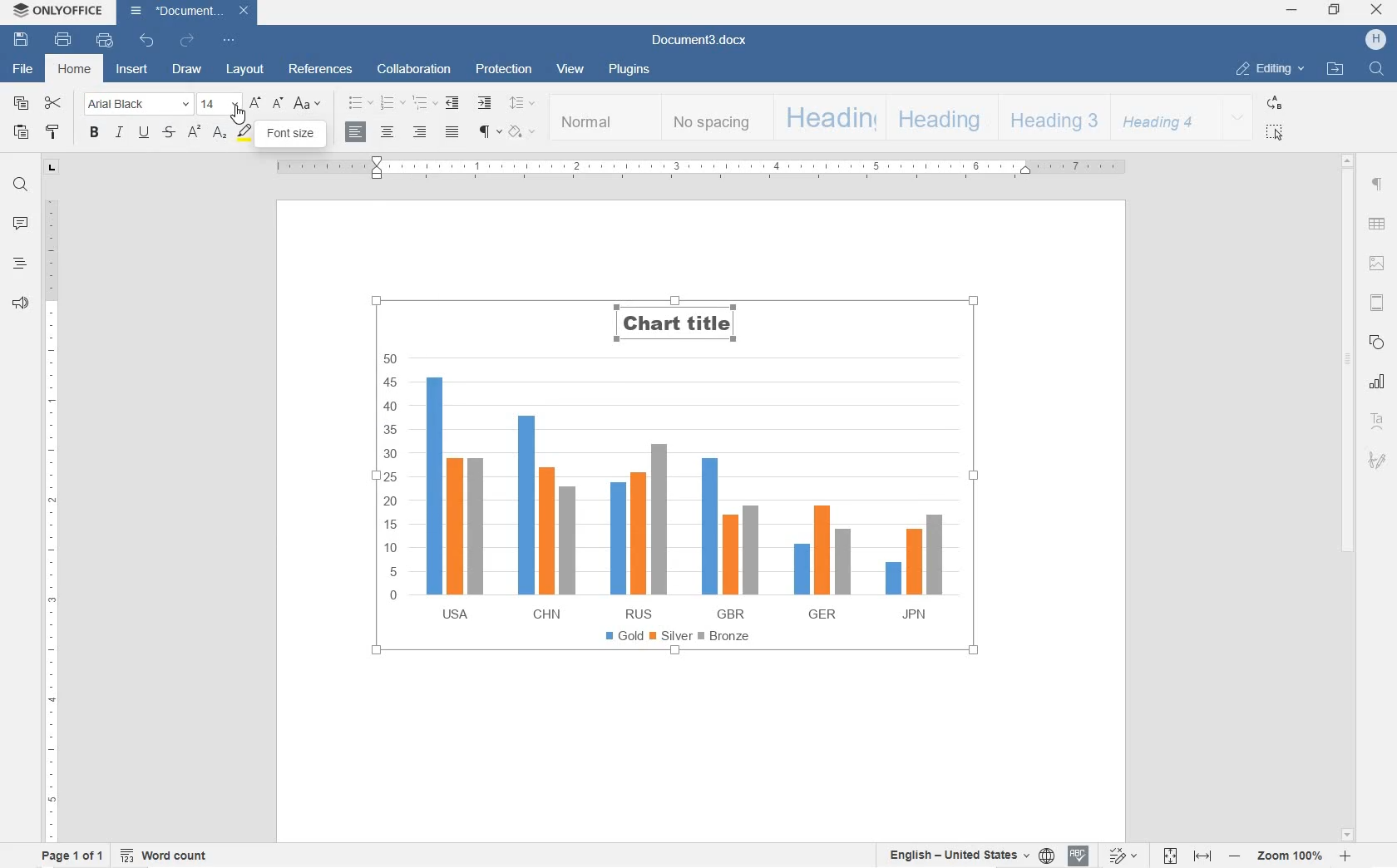 This screenshot has height=868, width=1397. I want to click on FONT NAME, so click(137, 104).